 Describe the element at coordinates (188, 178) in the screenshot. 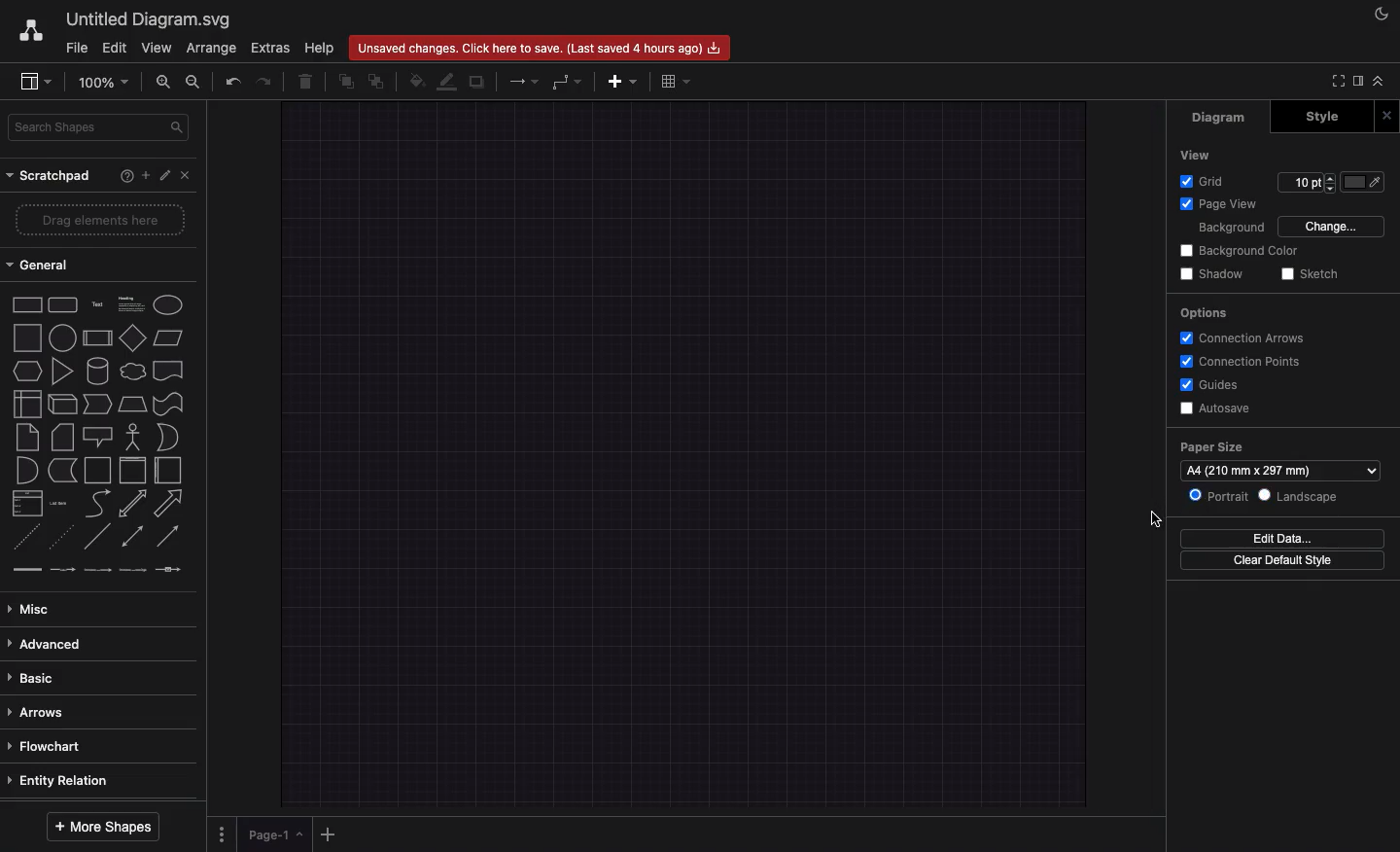

I see `Close` at that location.